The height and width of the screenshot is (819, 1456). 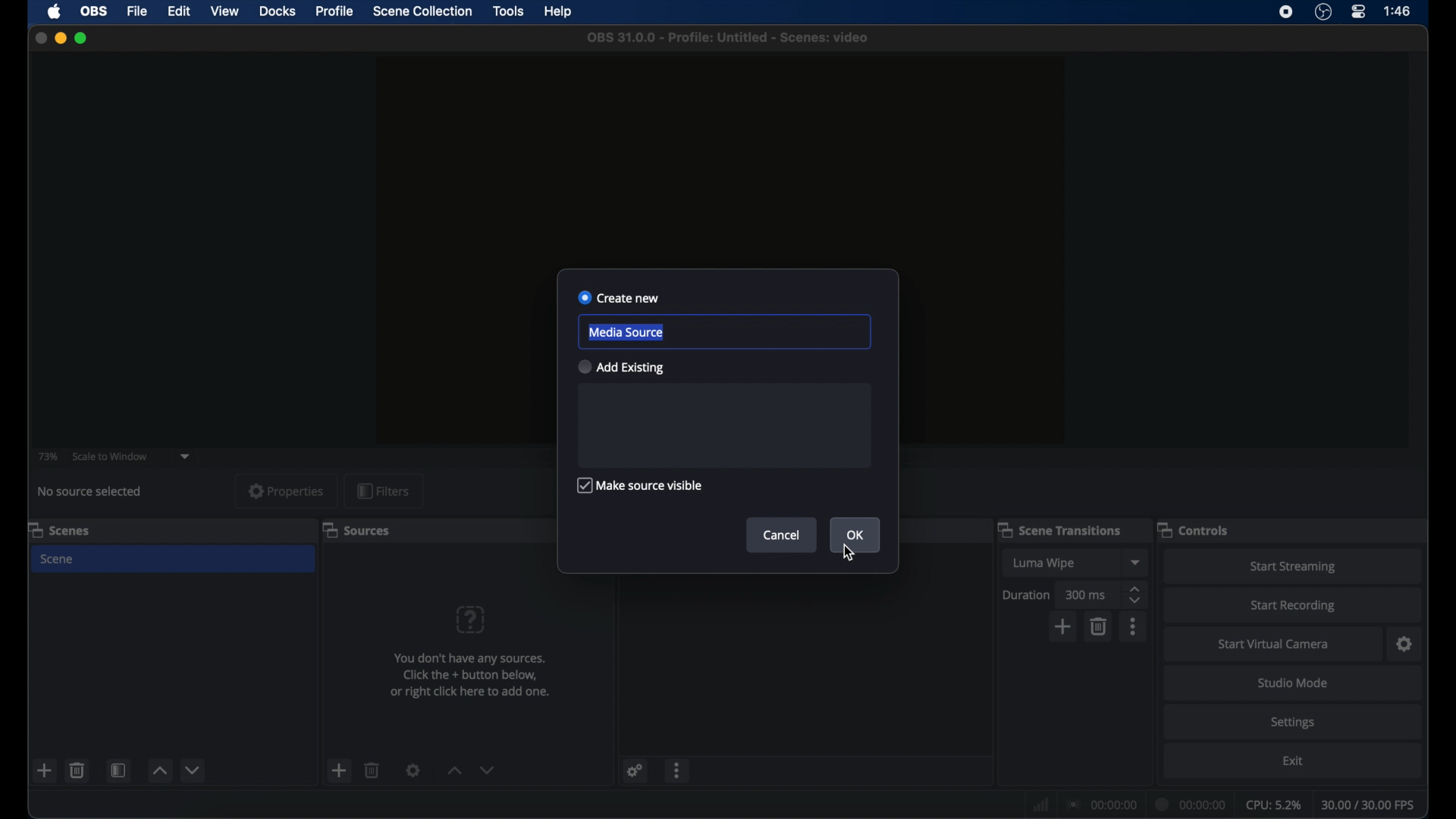 I want to click on duration, so click(x=1025, y=595).